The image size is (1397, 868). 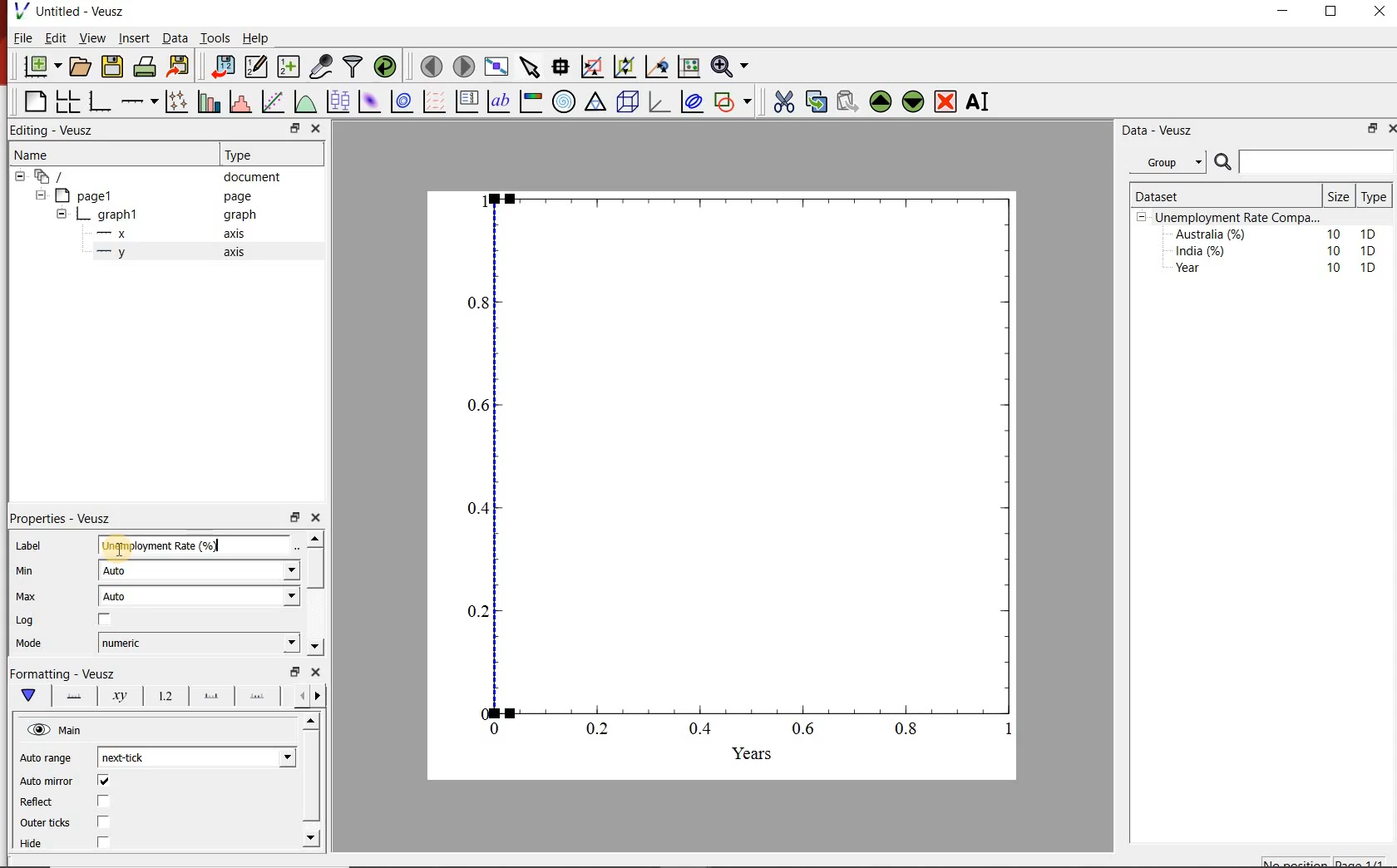 I want to click on cursor, so click(x=122, y=549).